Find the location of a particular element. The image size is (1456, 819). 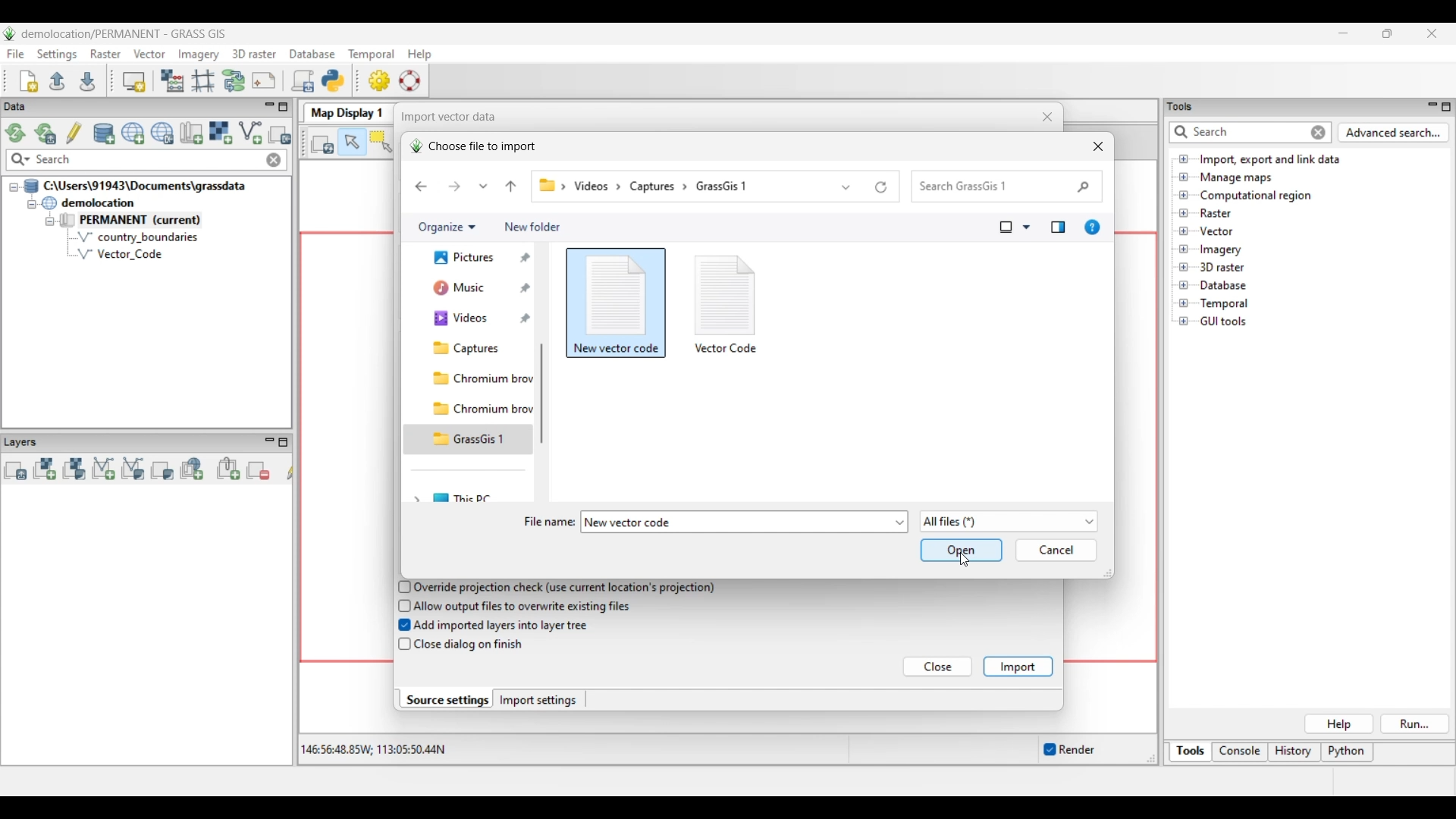

icon is located at coordinates (732, 293).